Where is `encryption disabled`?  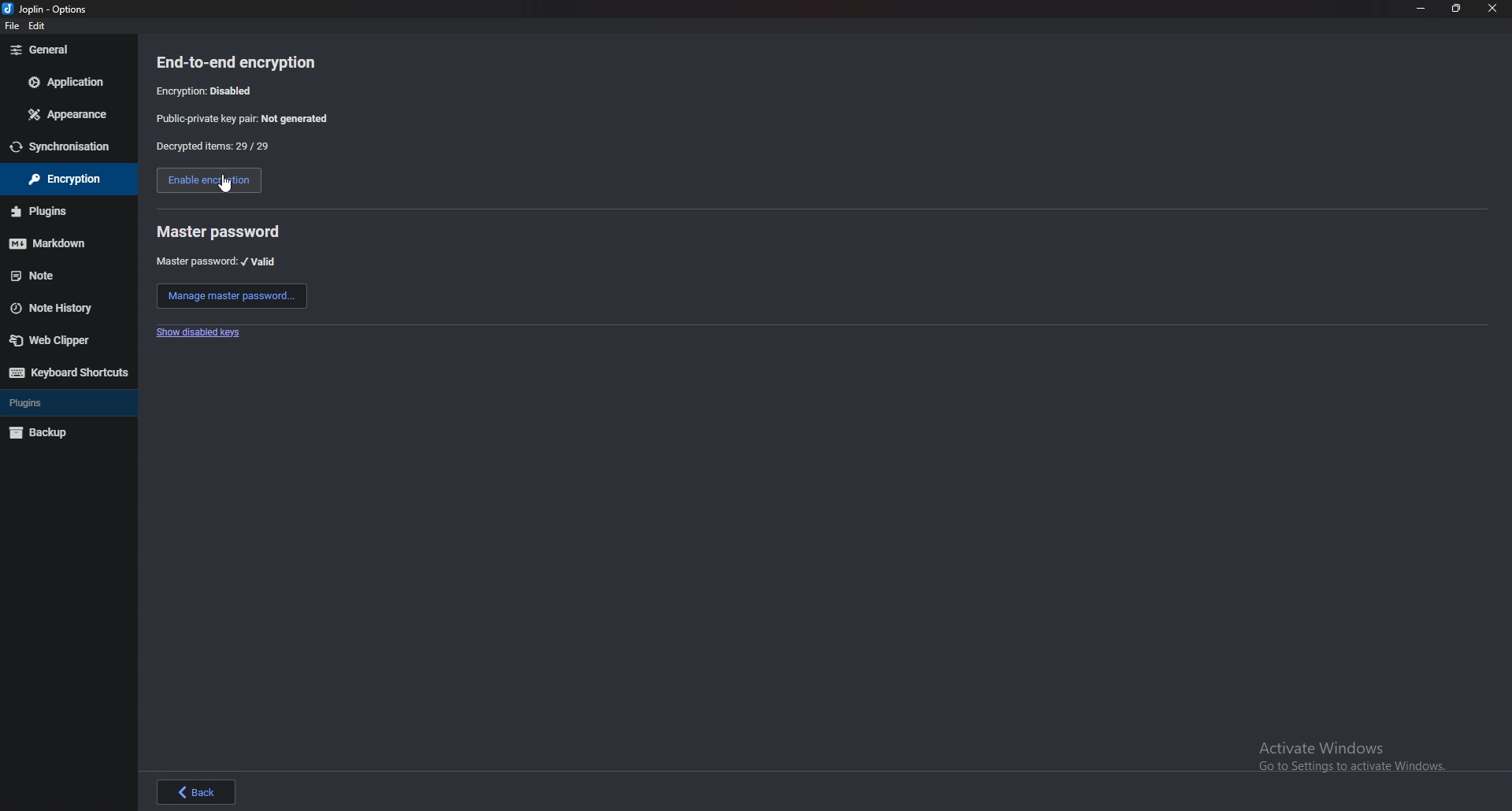
encryption disabled is located at coordinates (209, 91).